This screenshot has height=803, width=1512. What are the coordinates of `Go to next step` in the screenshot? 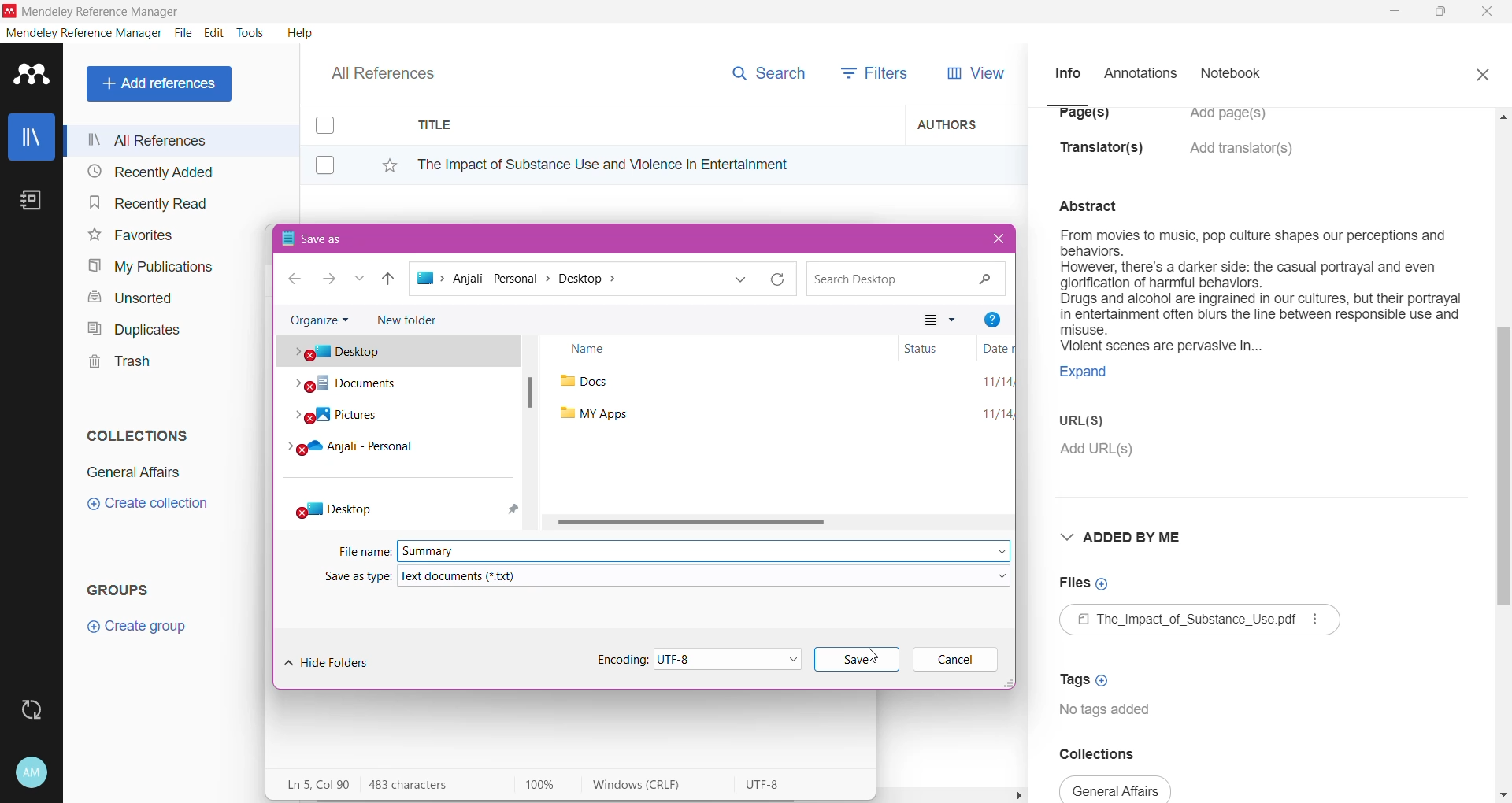 It's located at (328, 280).